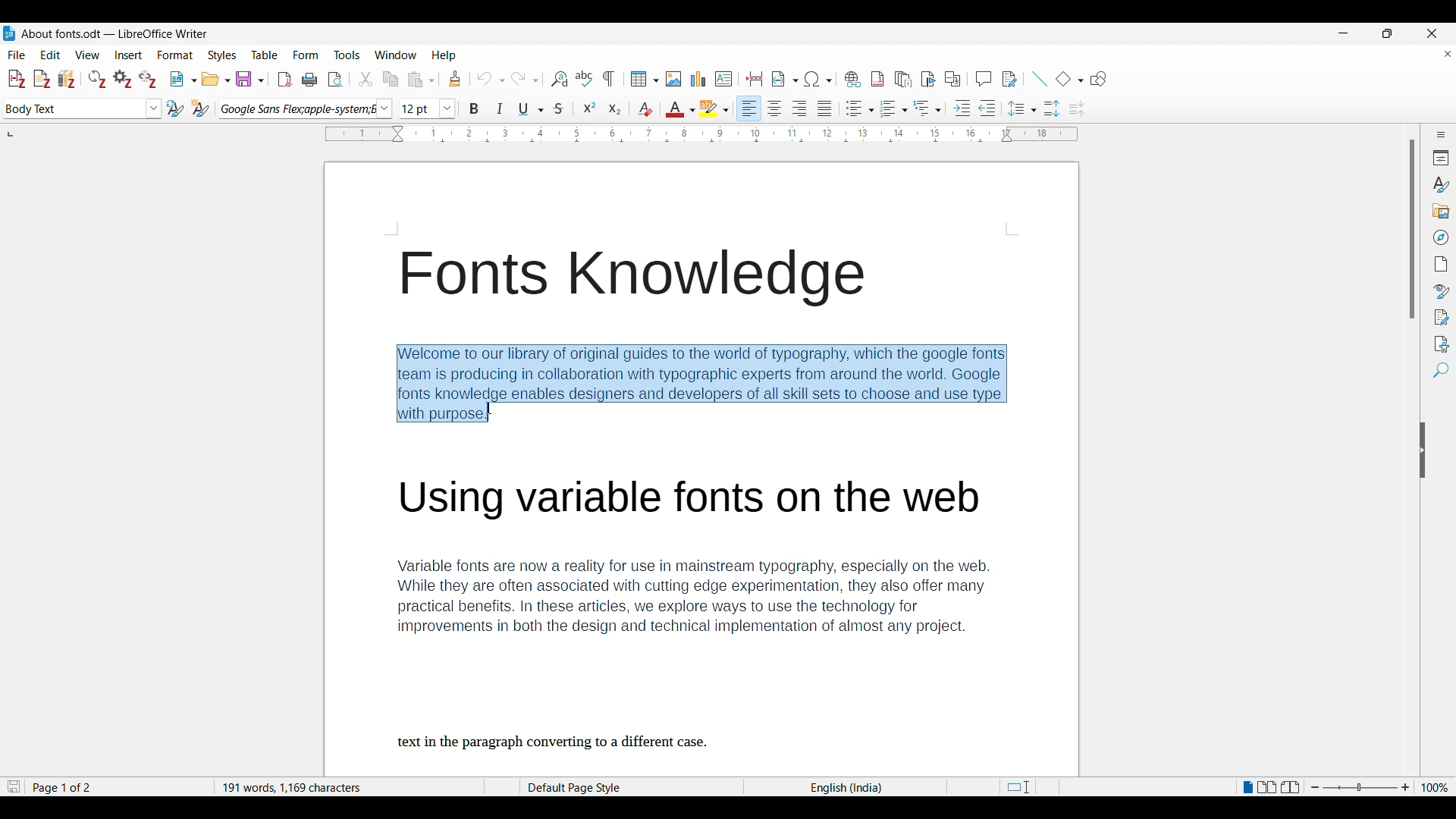 The width and height of the screenshot is (1456, 819). What do you see at coordinates (824, 108) in the screenshot?
I see `Justified alignment` at bounding box center [824, 108].